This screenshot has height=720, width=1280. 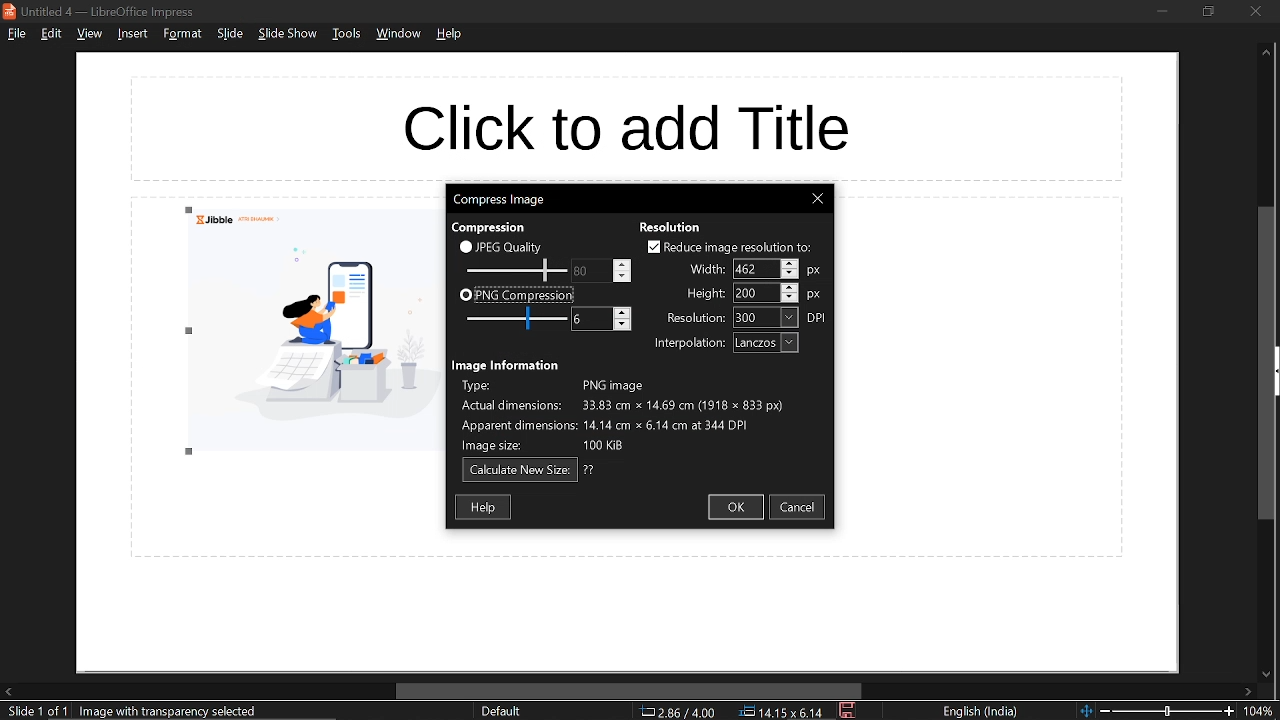 I want to click on calculate new size, so click(x=520, y=471).